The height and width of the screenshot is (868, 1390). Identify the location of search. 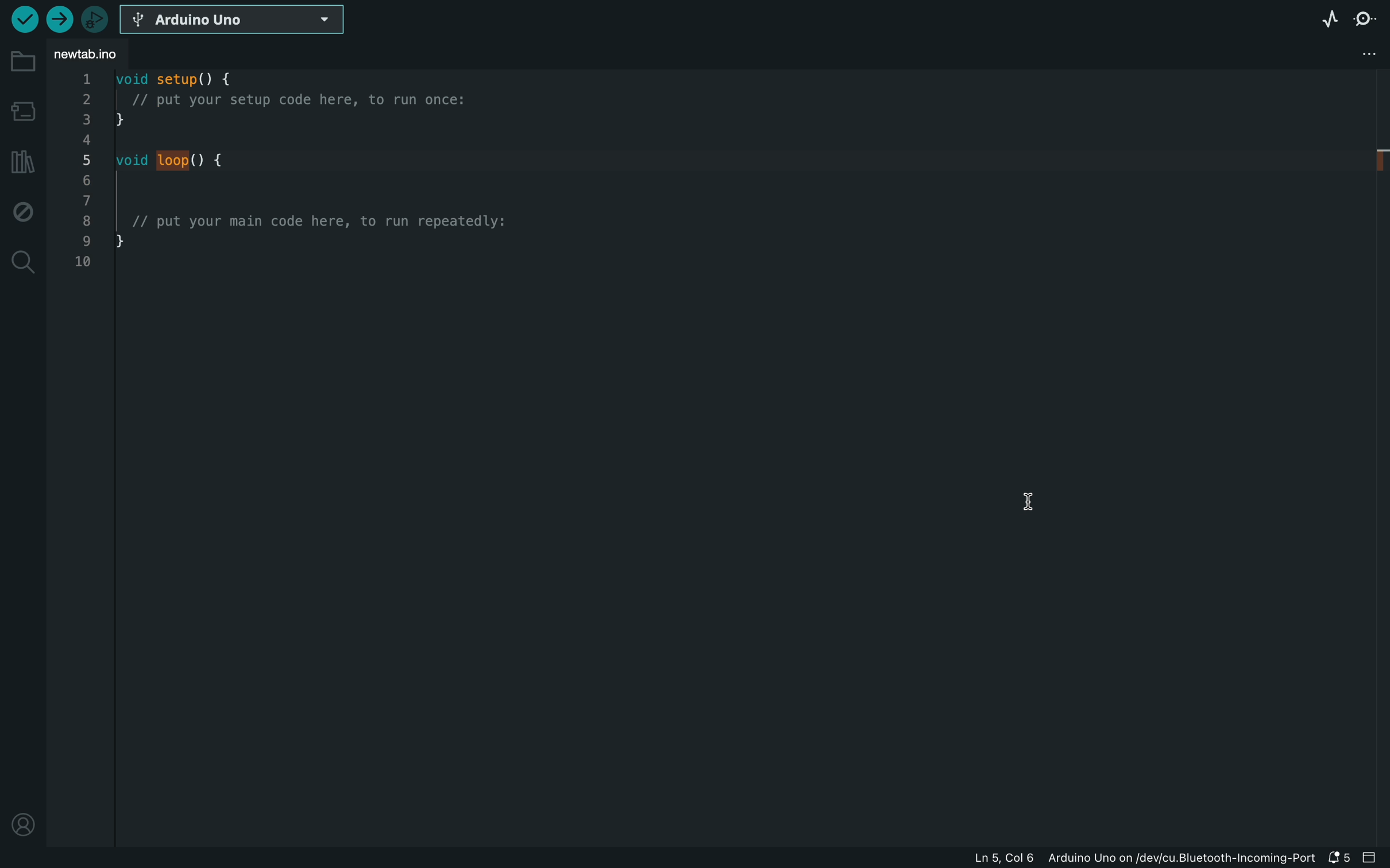
(21, 261).